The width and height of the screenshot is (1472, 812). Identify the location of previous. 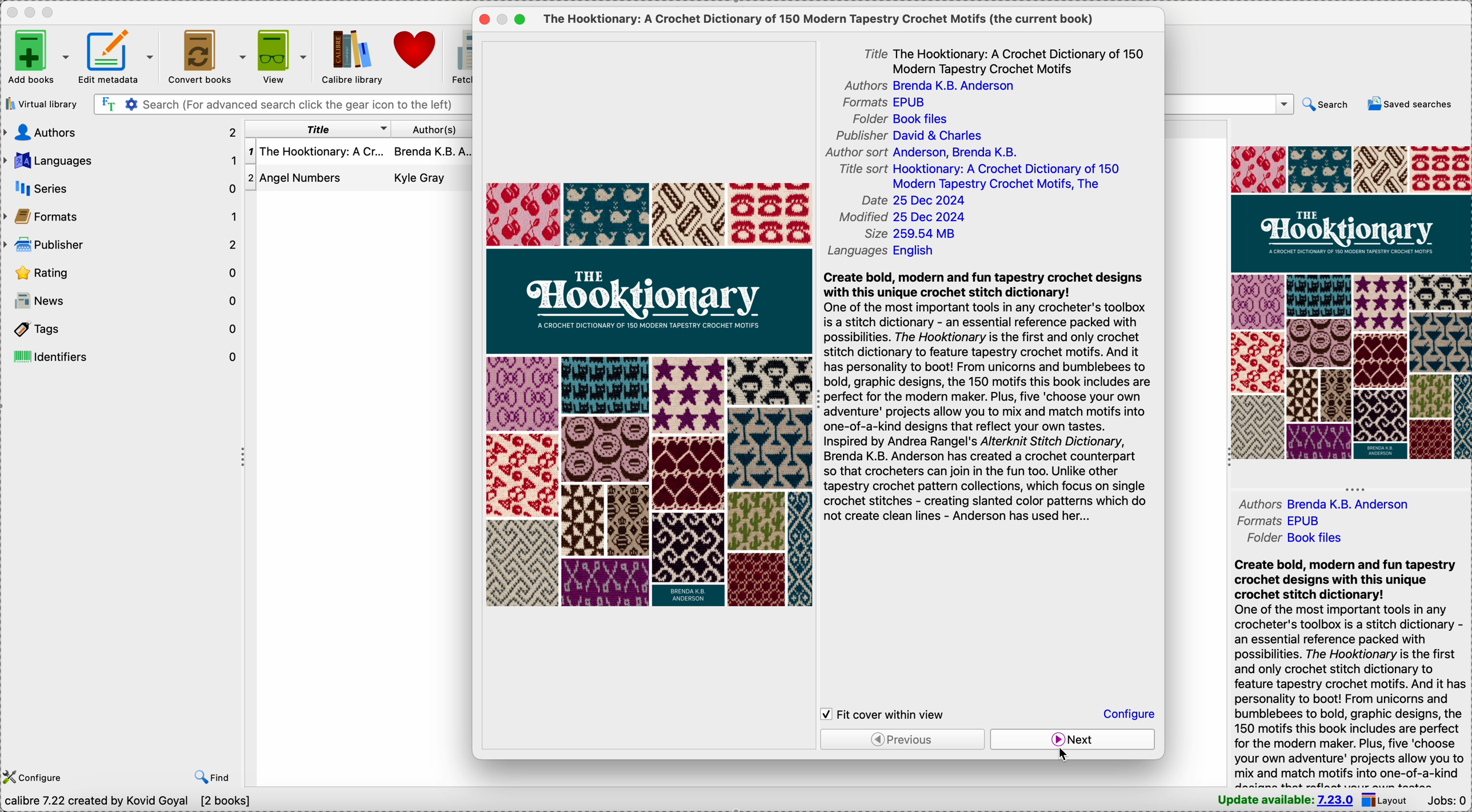
(902, 739).